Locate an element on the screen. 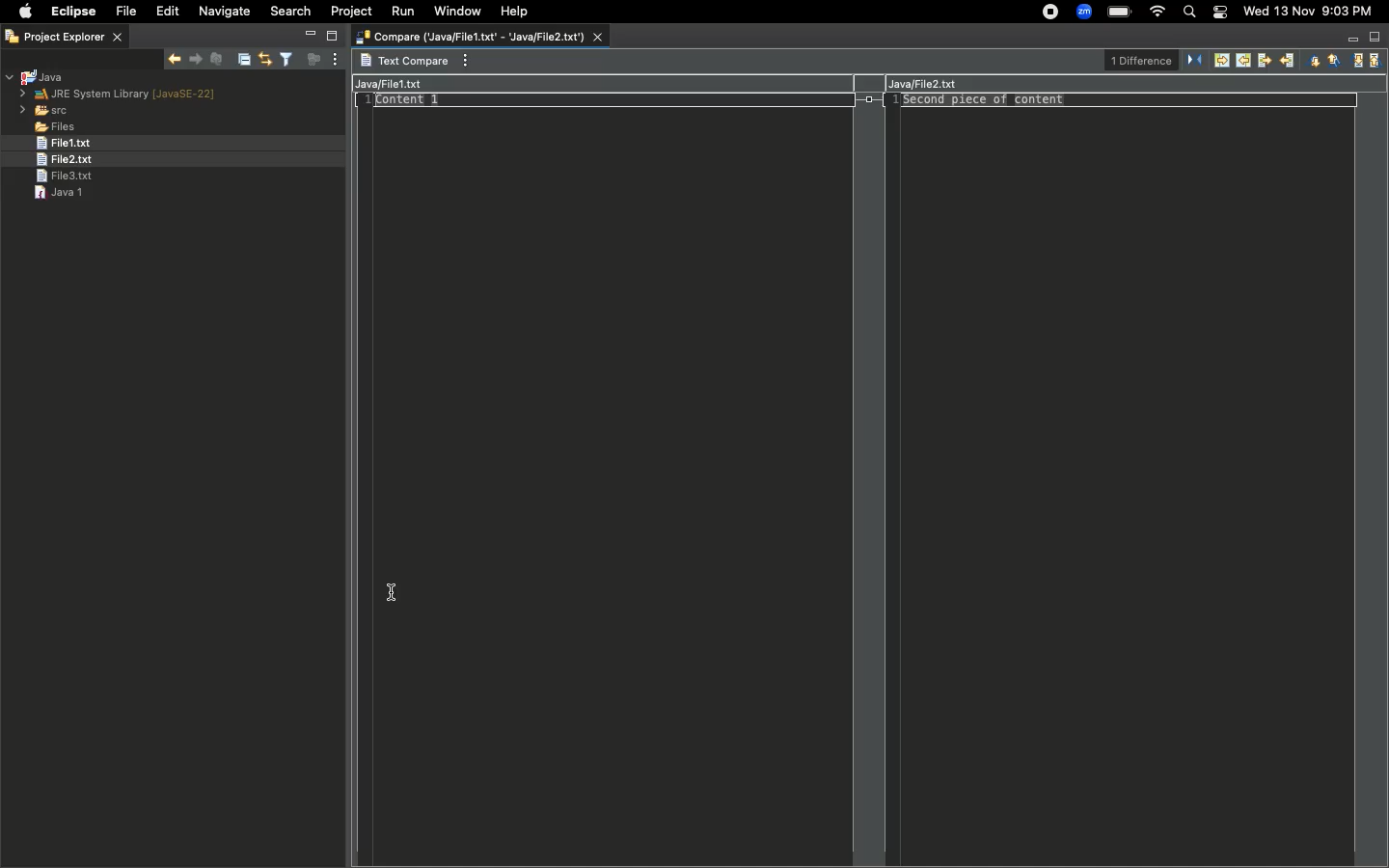  Link with editor is located at coordinates (263, 60).